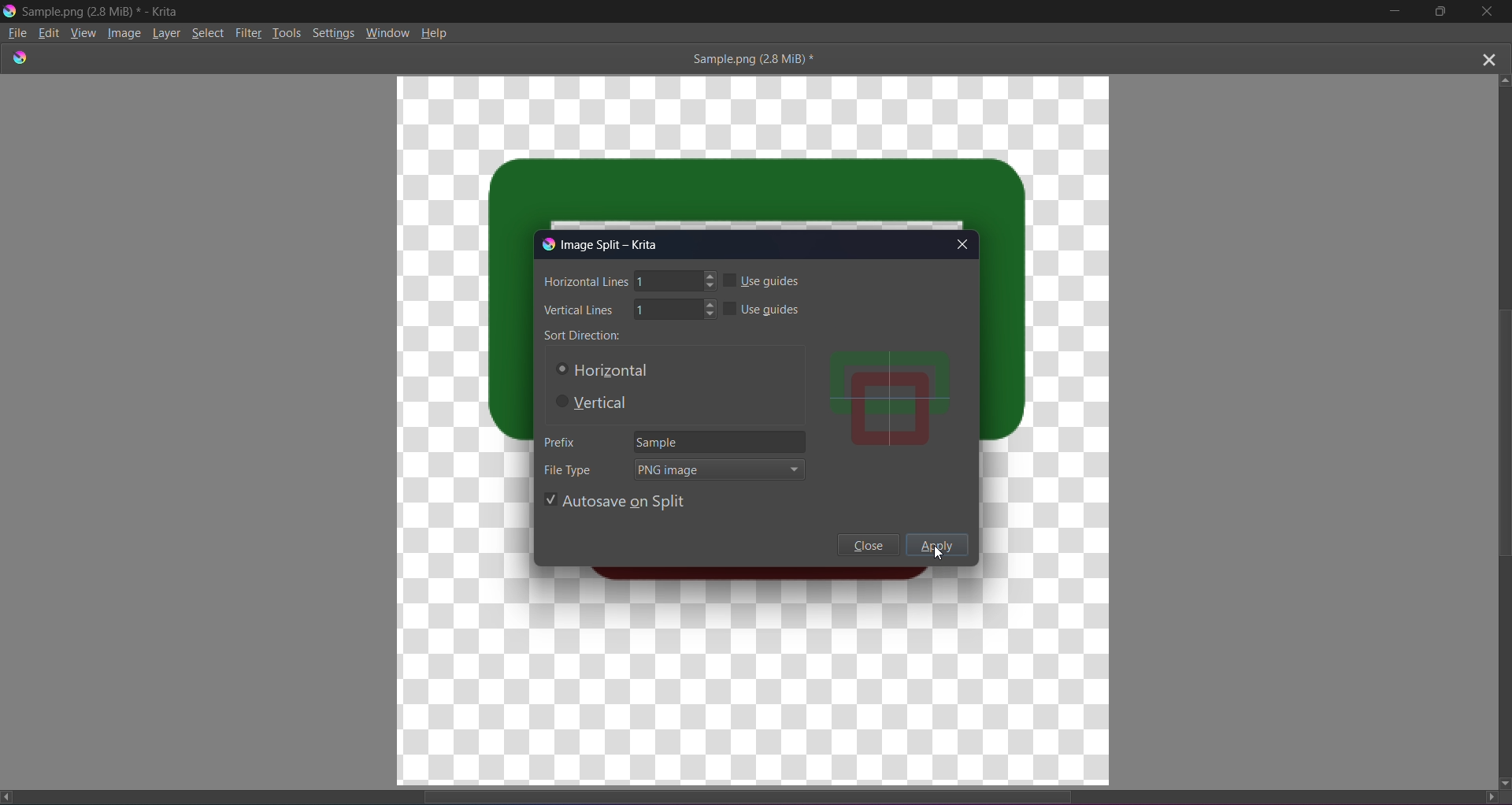 This screenshot has height=805, width=1512. What do you see at coordinates (50, 32) in the screenshot?
I see `Edit` at bounding box center [50, 32].